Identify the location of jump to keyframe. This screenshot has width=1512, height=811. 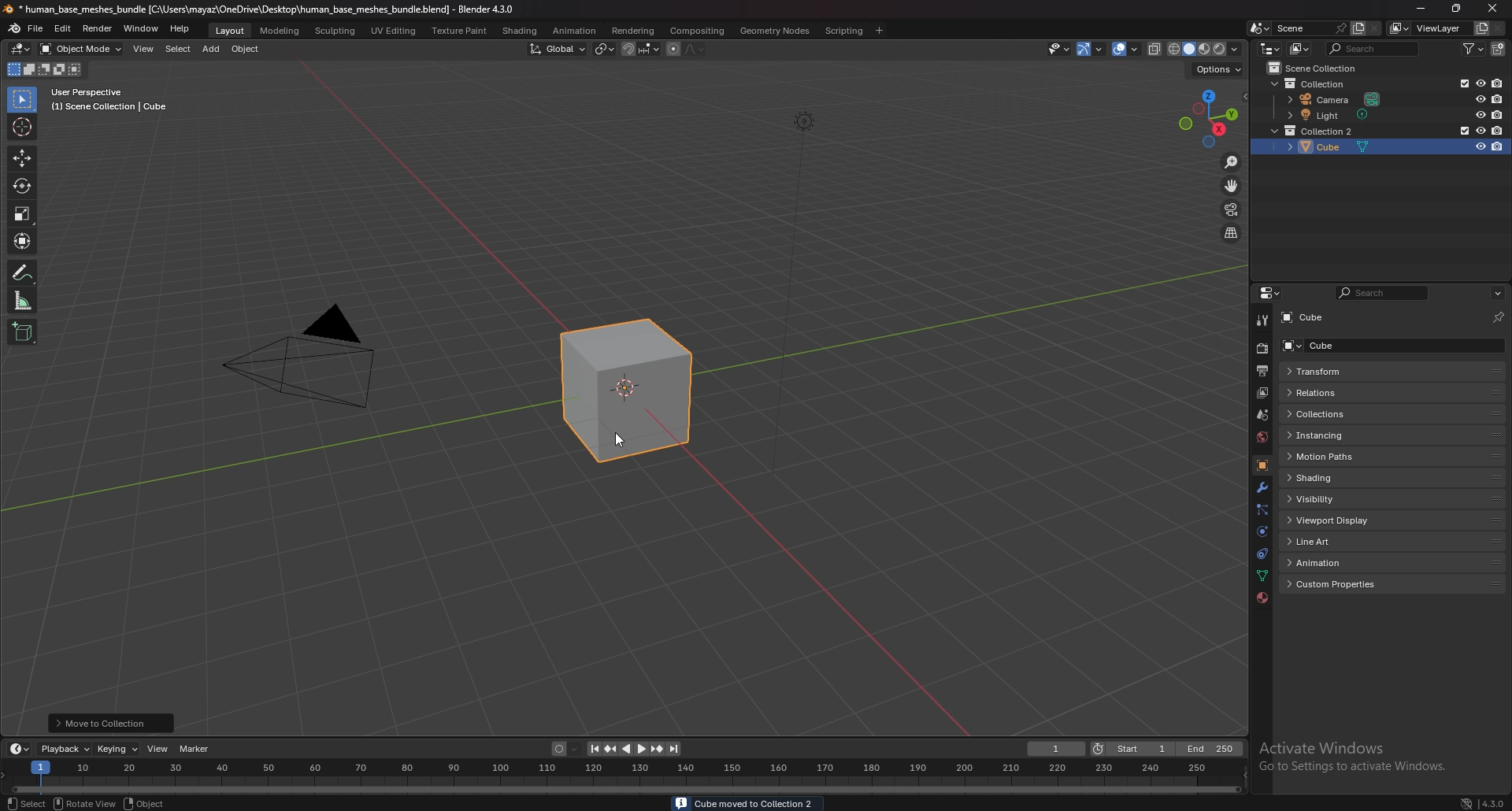
(610, 749).